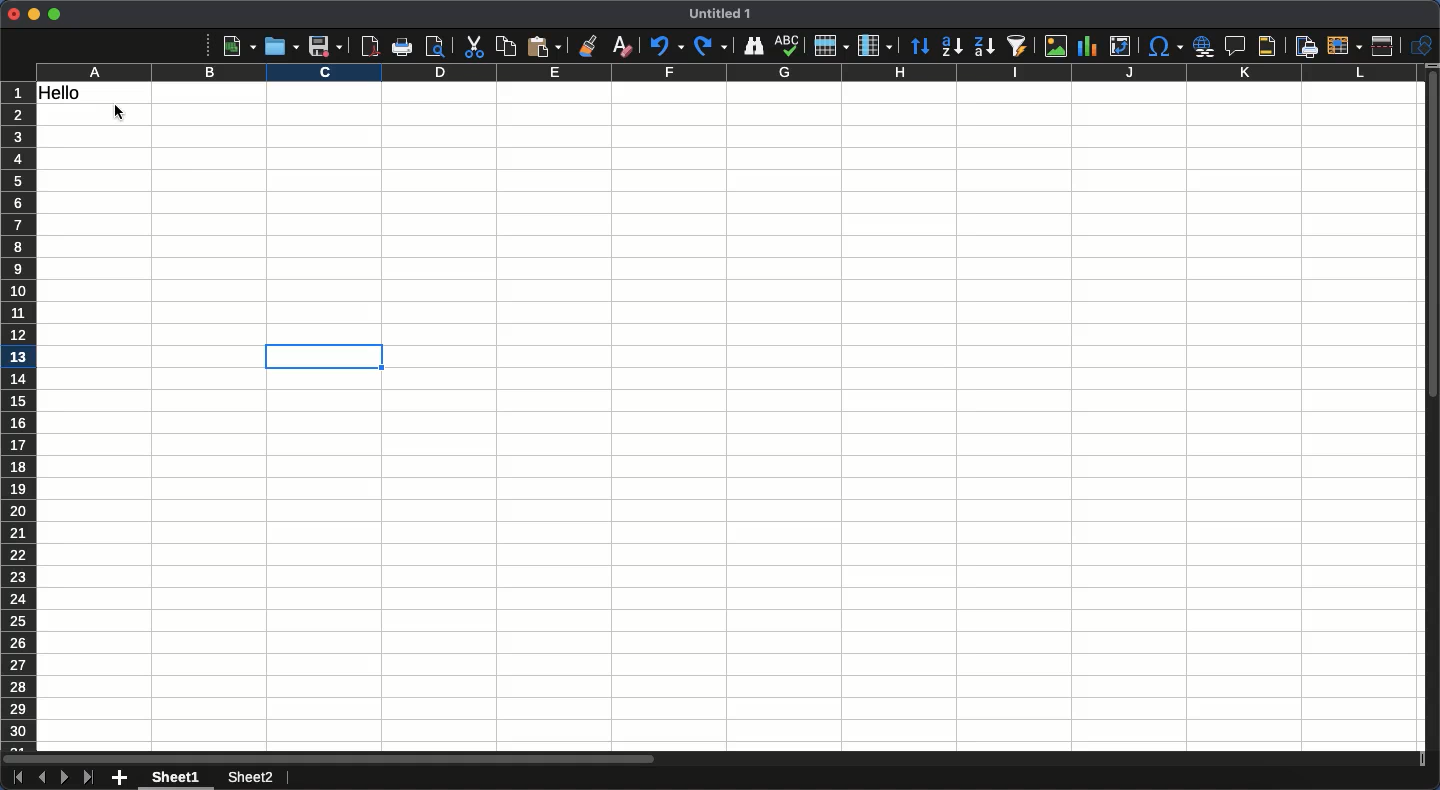 Image resolution: width=1440 pixels, height=790 pixels. Describe the element at coordinates (369, 46) in the screenshot. I see `Export as PDF` at that location.